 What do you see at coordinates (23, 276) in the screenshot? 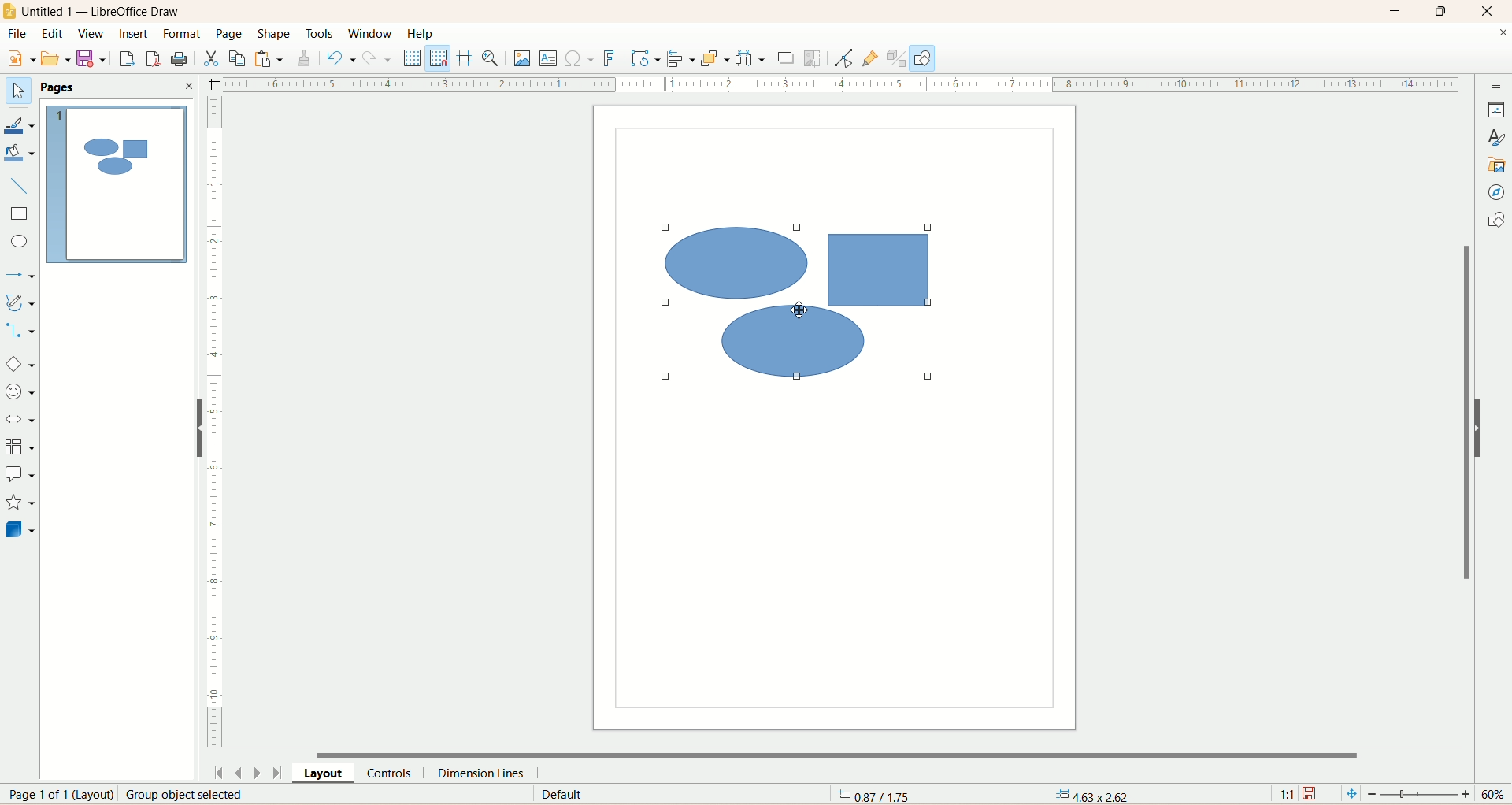
I see `lines and arrows` at bounding box center [23, 276].